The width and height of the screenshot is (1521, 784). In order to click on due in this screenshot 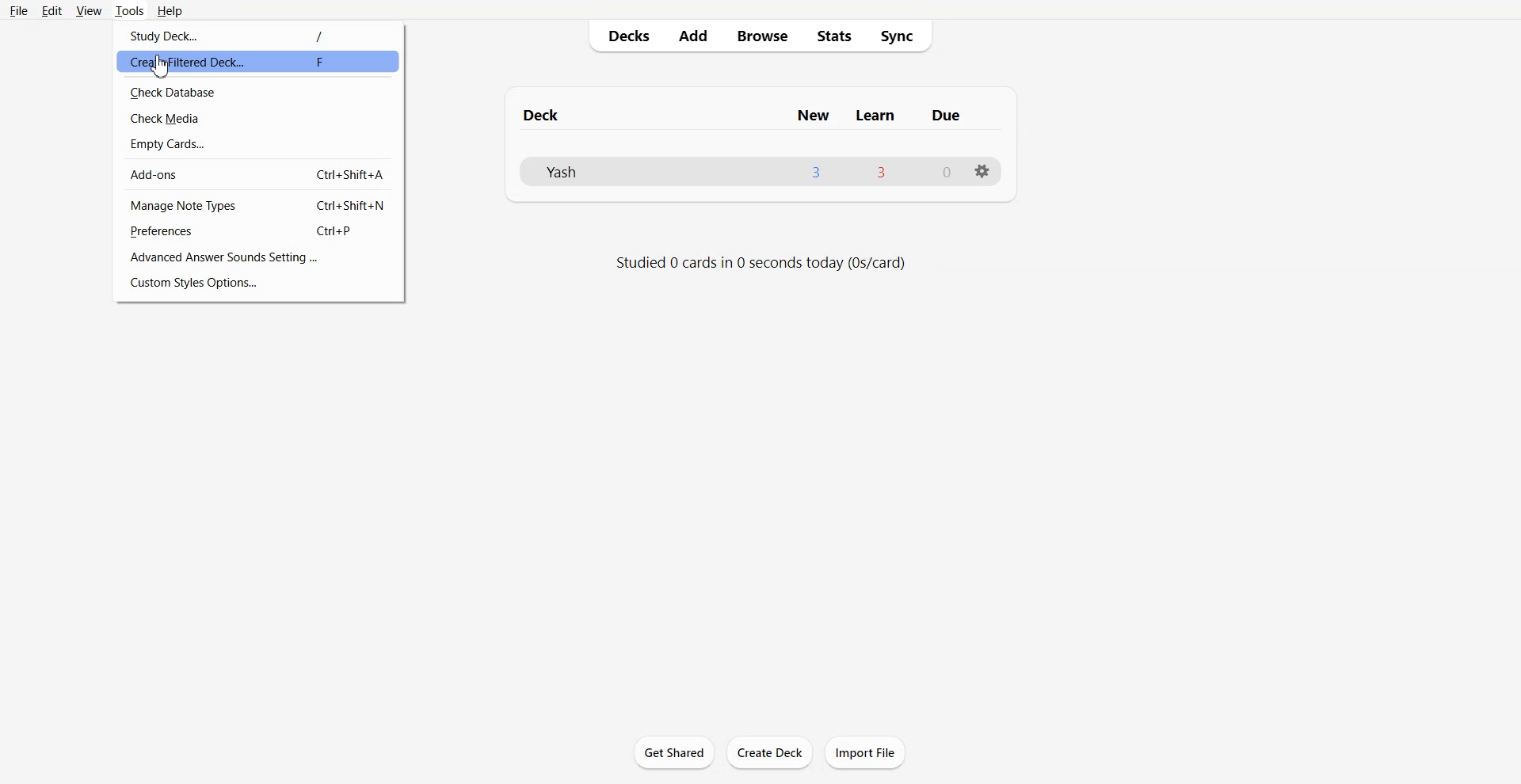, I will do `click(945, 116)`.